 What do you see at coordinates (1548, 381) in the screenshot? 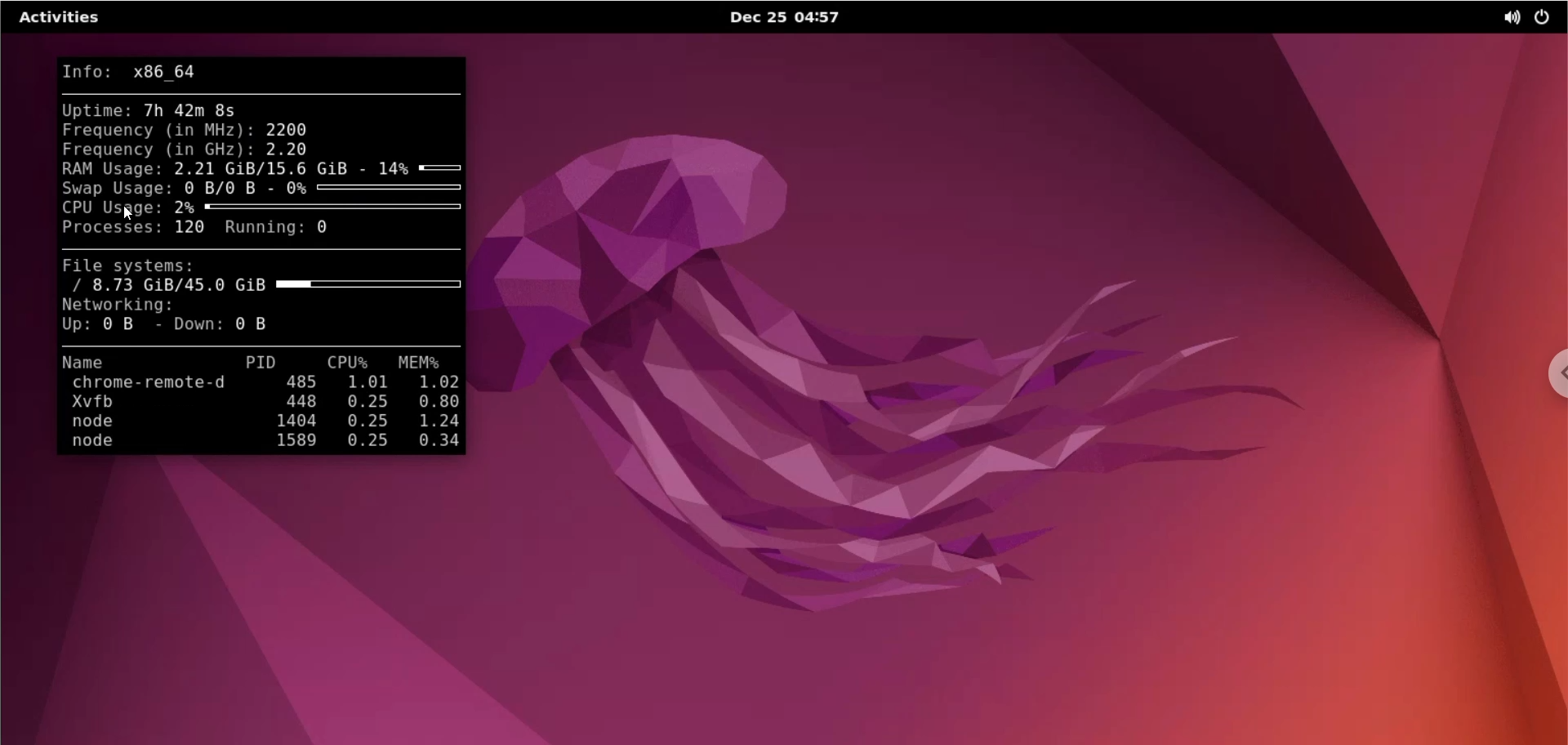
I see `chrome usage` at bounding box center [1548, 381].